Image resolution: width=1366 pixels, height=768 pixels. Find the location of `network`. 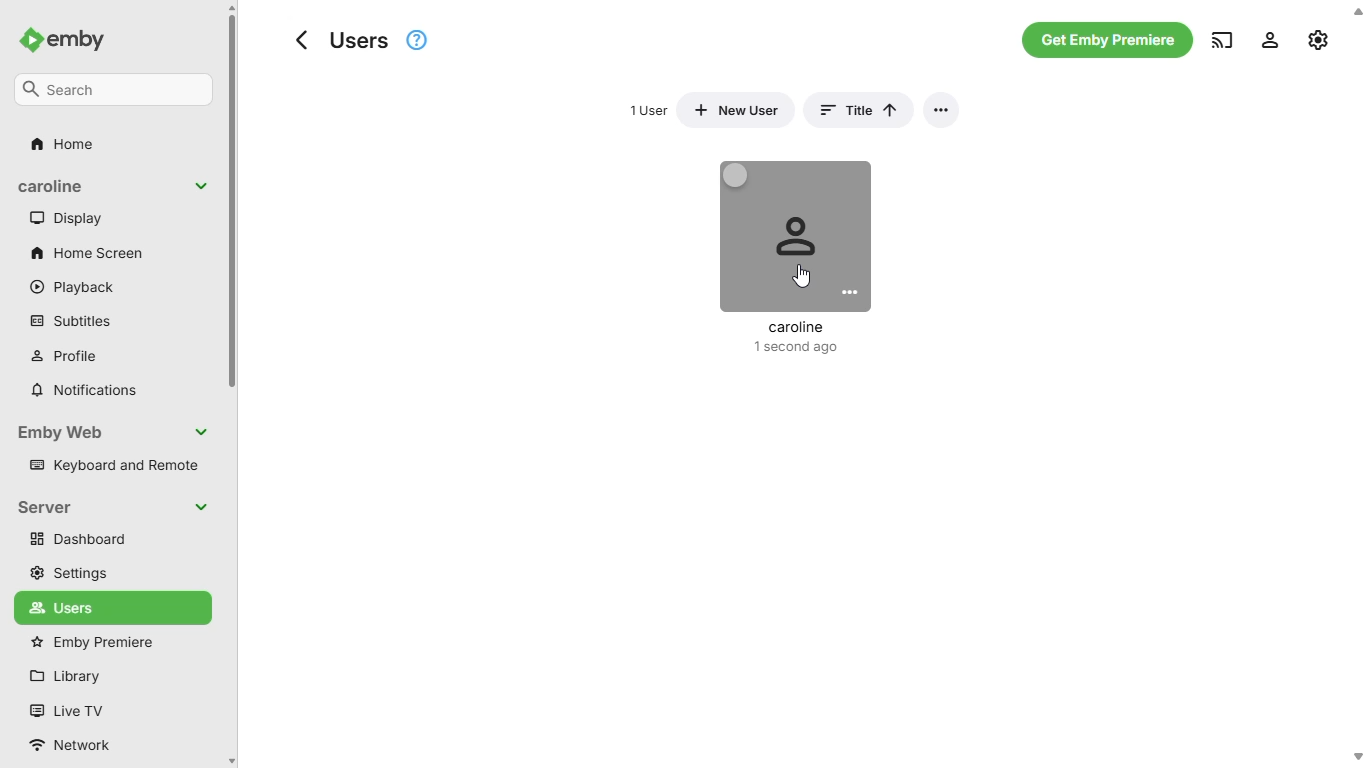

network is located at coordinates (71, 745).